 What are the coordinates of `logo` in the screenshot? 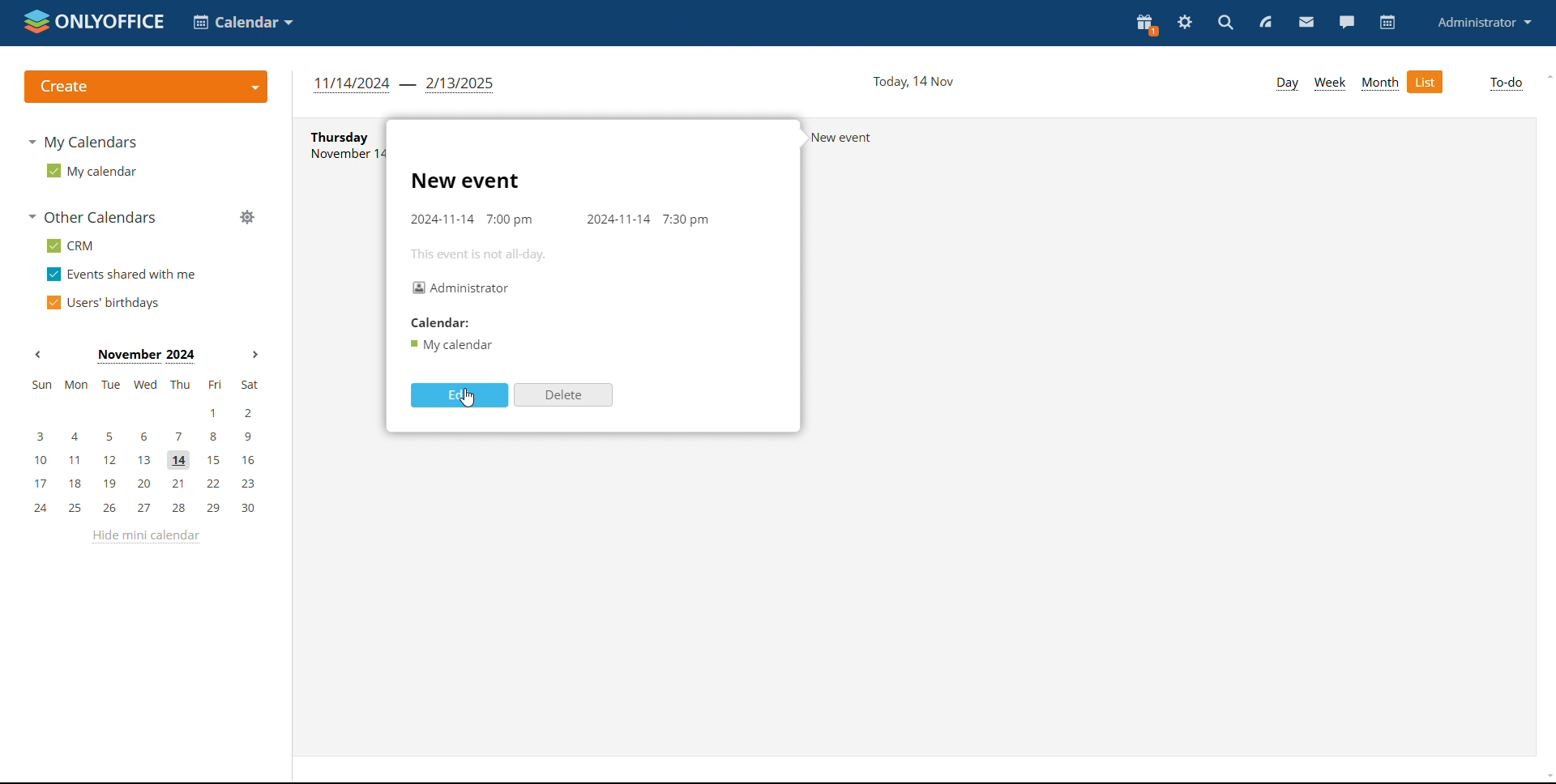 It's located at (94, 23).